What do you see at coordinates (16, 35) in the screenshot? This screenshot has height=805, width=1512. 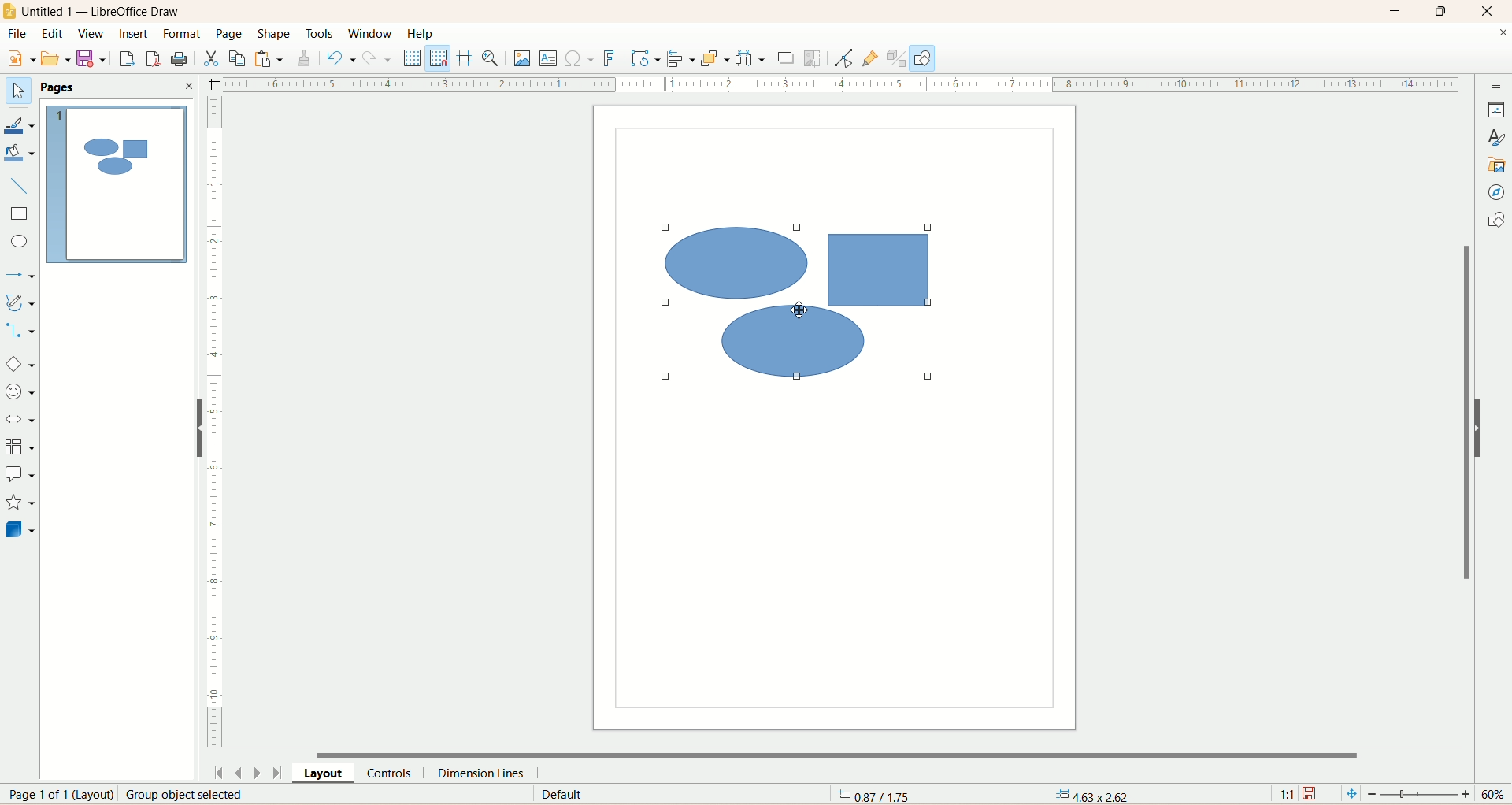 I see `file` at bounding box center [16, 35].